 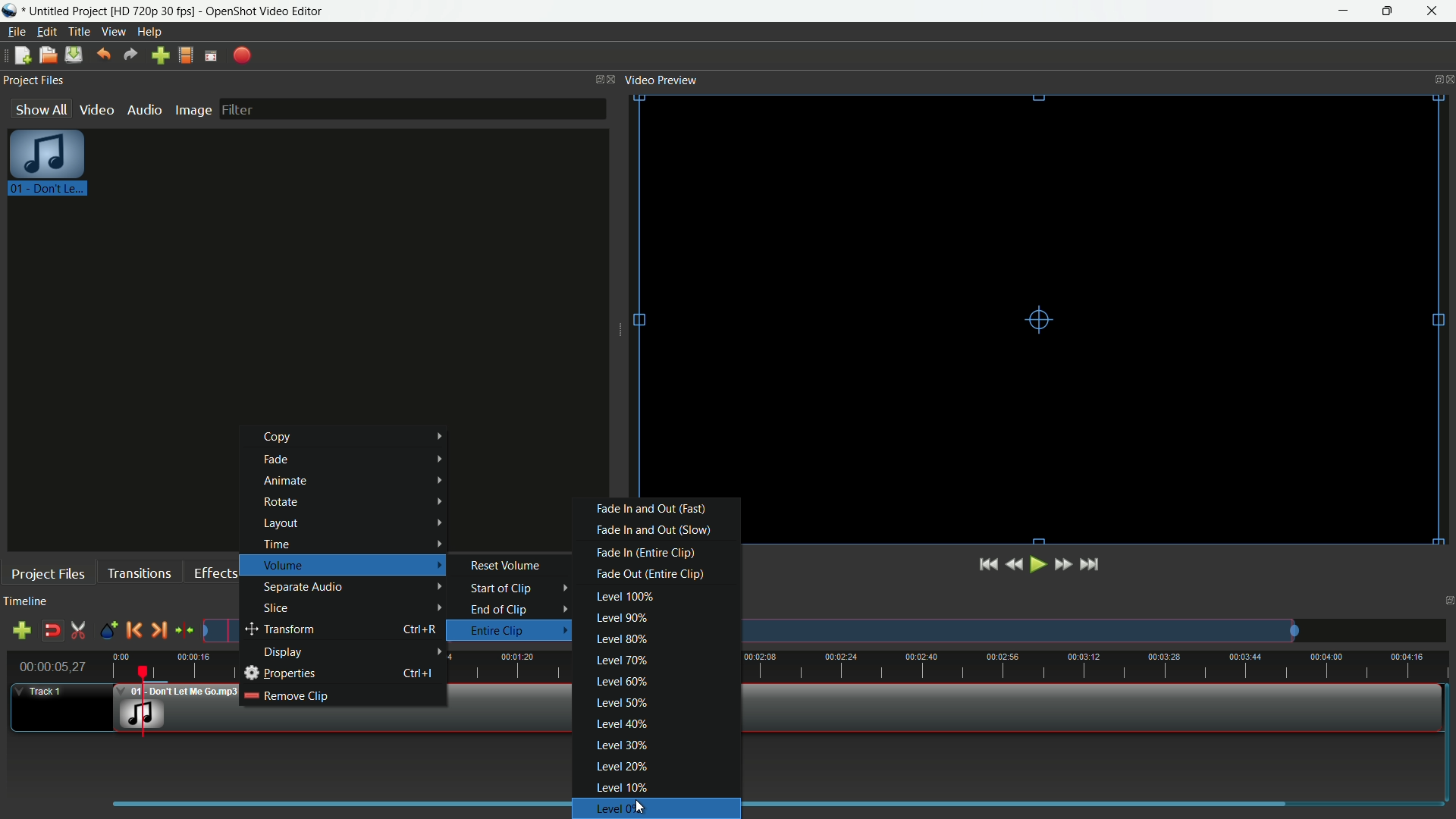 I want to click on close timeline, so click(x=1447, y=603).